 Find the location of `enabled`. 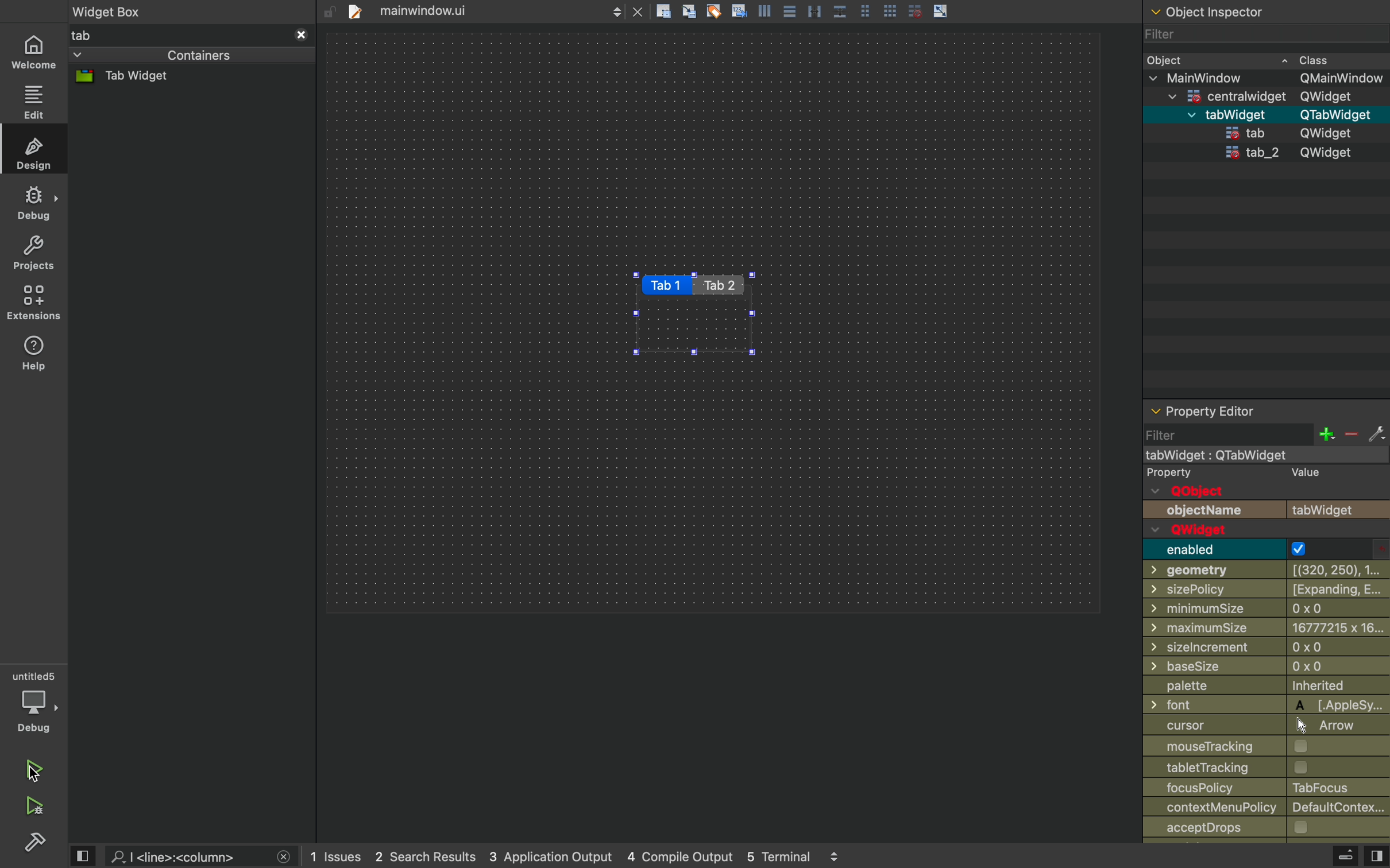

enabled is located at coordinates (1231, 549).